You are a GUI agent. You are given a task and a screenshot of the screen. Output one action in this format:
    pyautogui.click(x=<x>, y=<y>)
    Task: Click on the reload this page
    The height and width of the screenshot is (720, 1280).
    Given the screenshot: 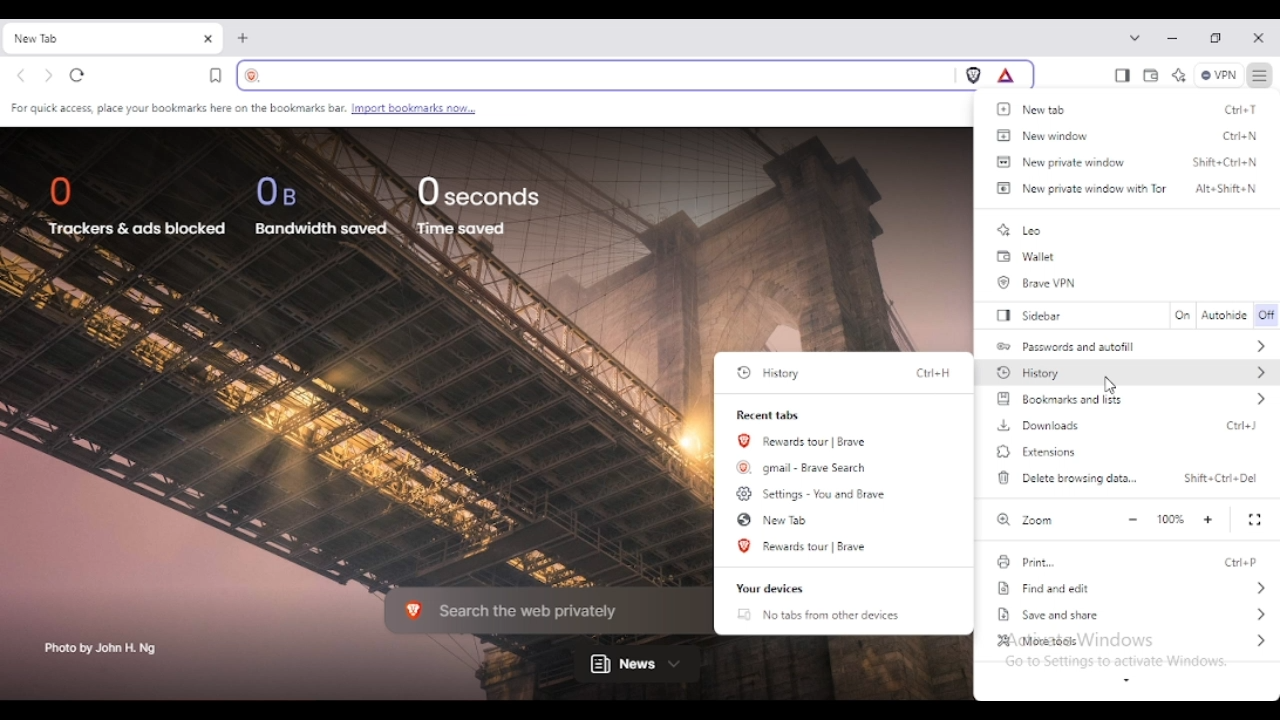 What is the action you would take?
    pyautogui.click(x=78, y=75)
    